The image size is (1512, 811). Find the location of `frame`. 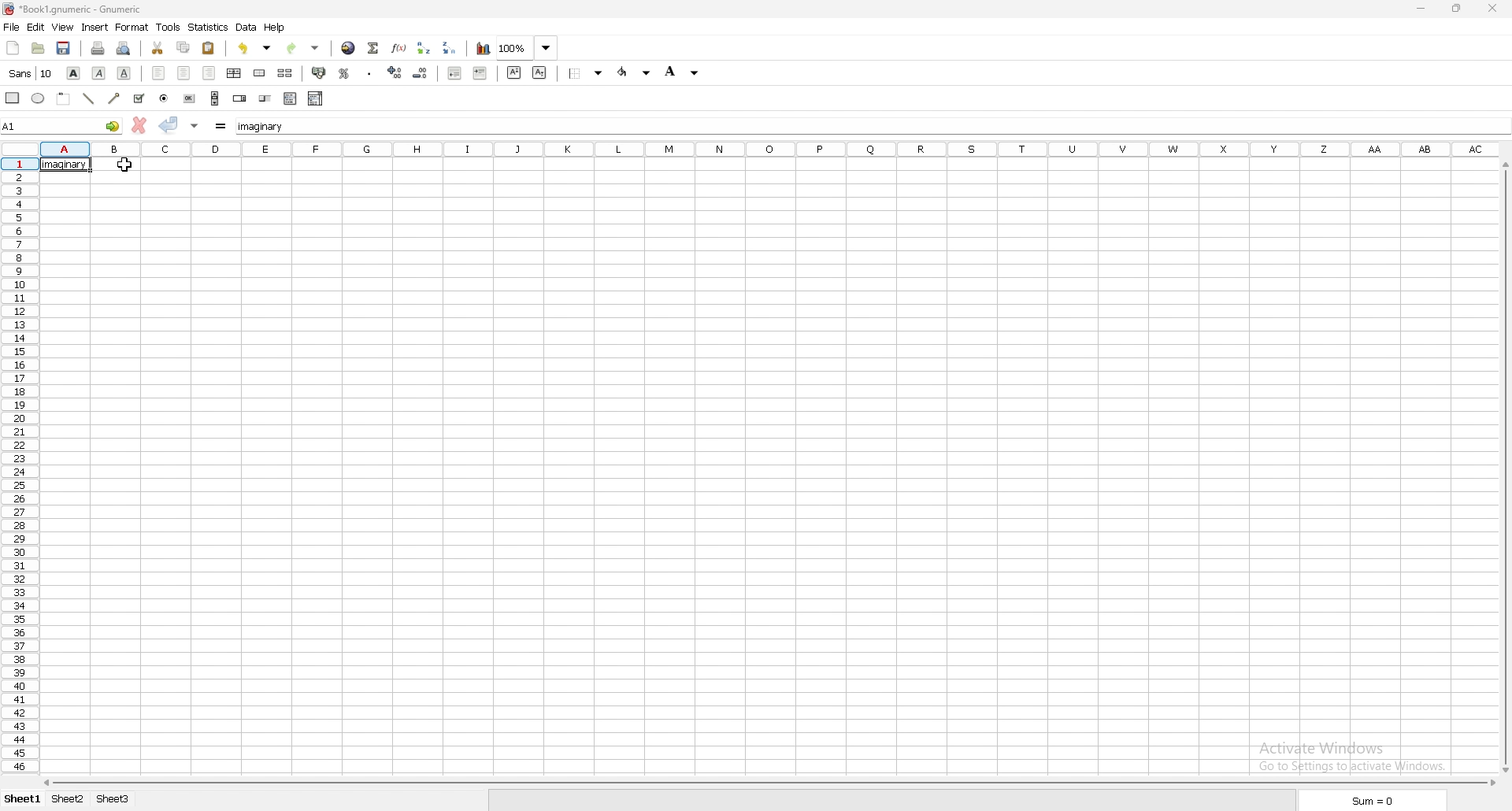

frame is located at coordinates (65, 98).